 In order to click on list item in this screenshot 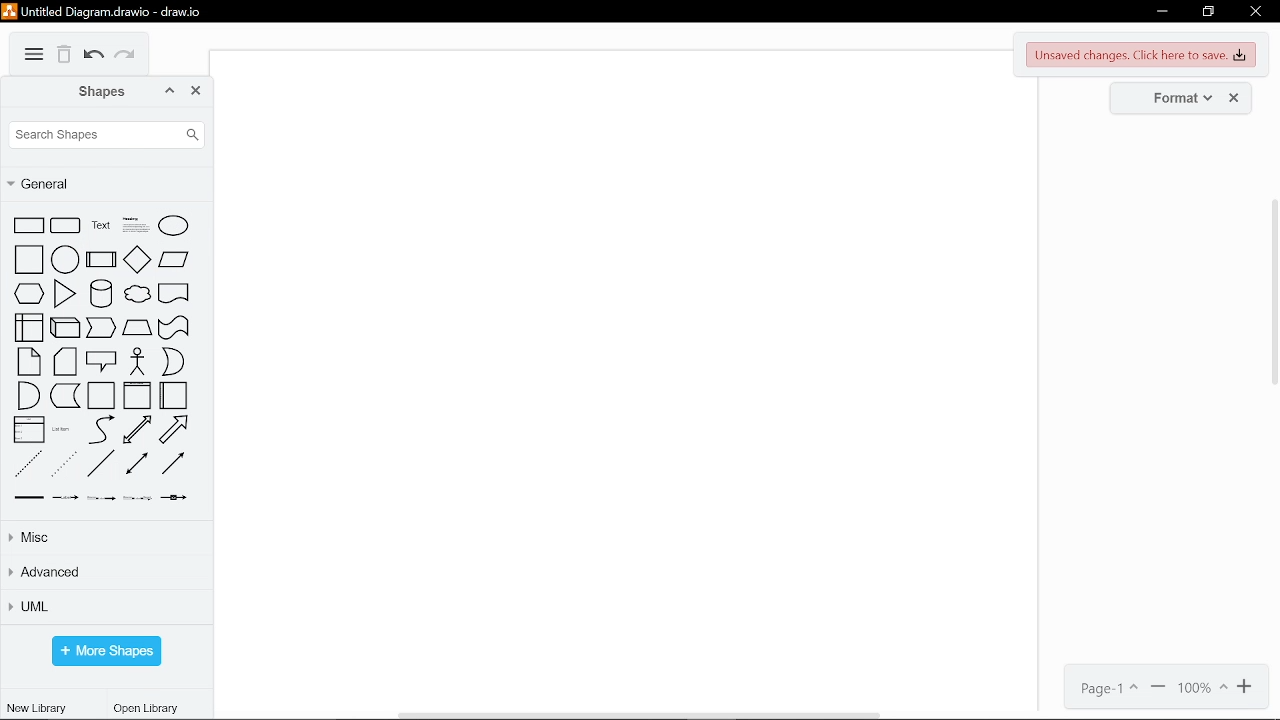, I will do `click(63, 433)`.